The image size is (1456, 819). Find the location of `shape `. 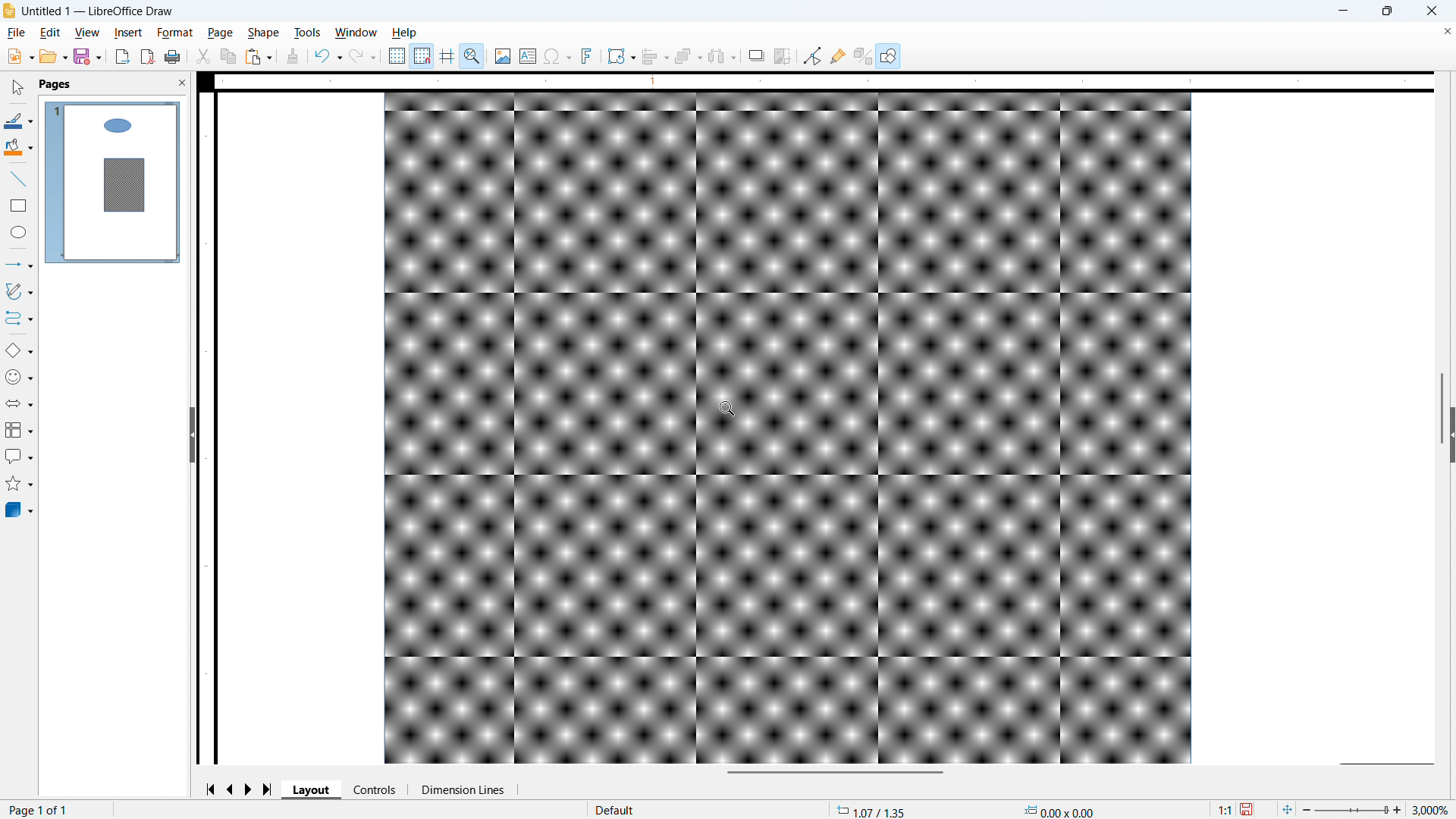

shape  is located at coordinates (264, 33).